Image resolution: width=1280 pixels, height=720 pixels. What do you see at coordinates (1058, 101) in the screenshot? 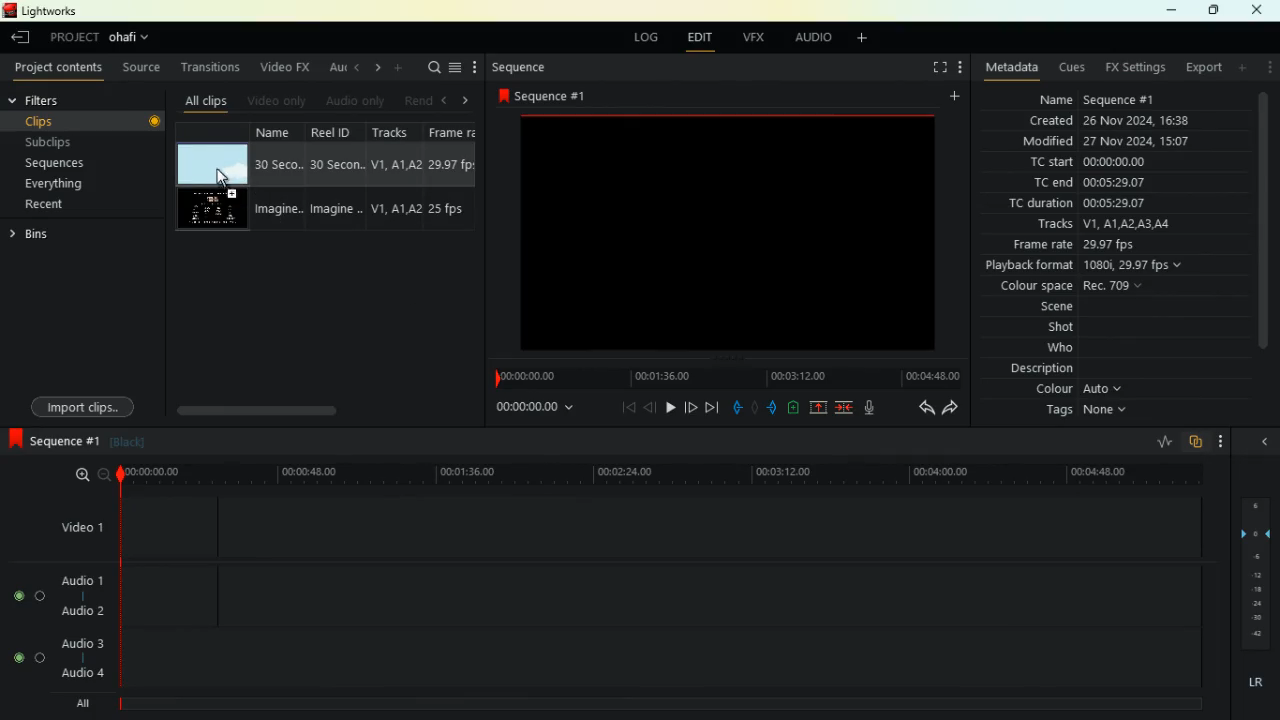
I see `name` at bounding box center [1058, 101].